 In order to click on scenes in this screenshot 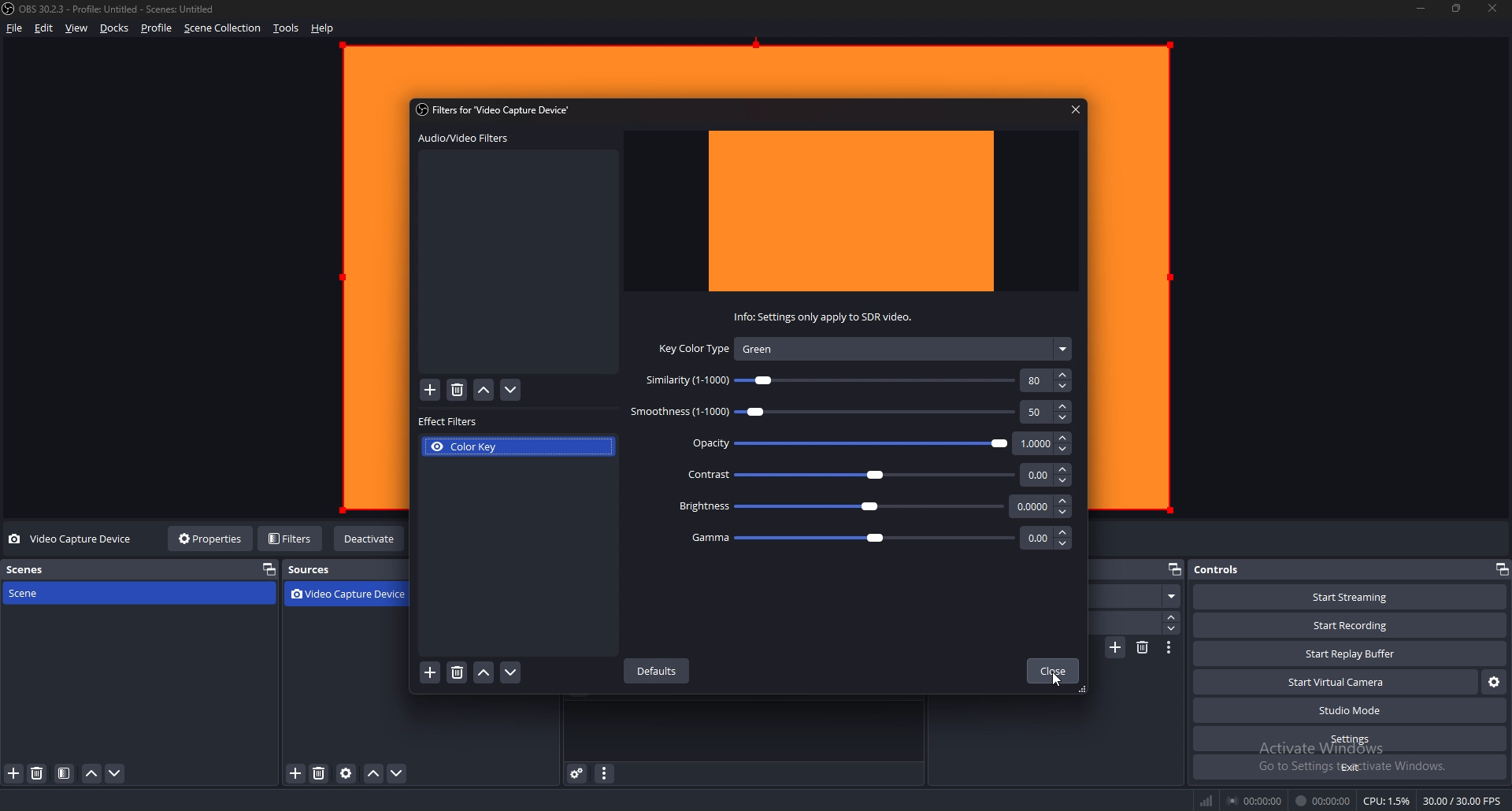, I will do `click(78, 569)`.